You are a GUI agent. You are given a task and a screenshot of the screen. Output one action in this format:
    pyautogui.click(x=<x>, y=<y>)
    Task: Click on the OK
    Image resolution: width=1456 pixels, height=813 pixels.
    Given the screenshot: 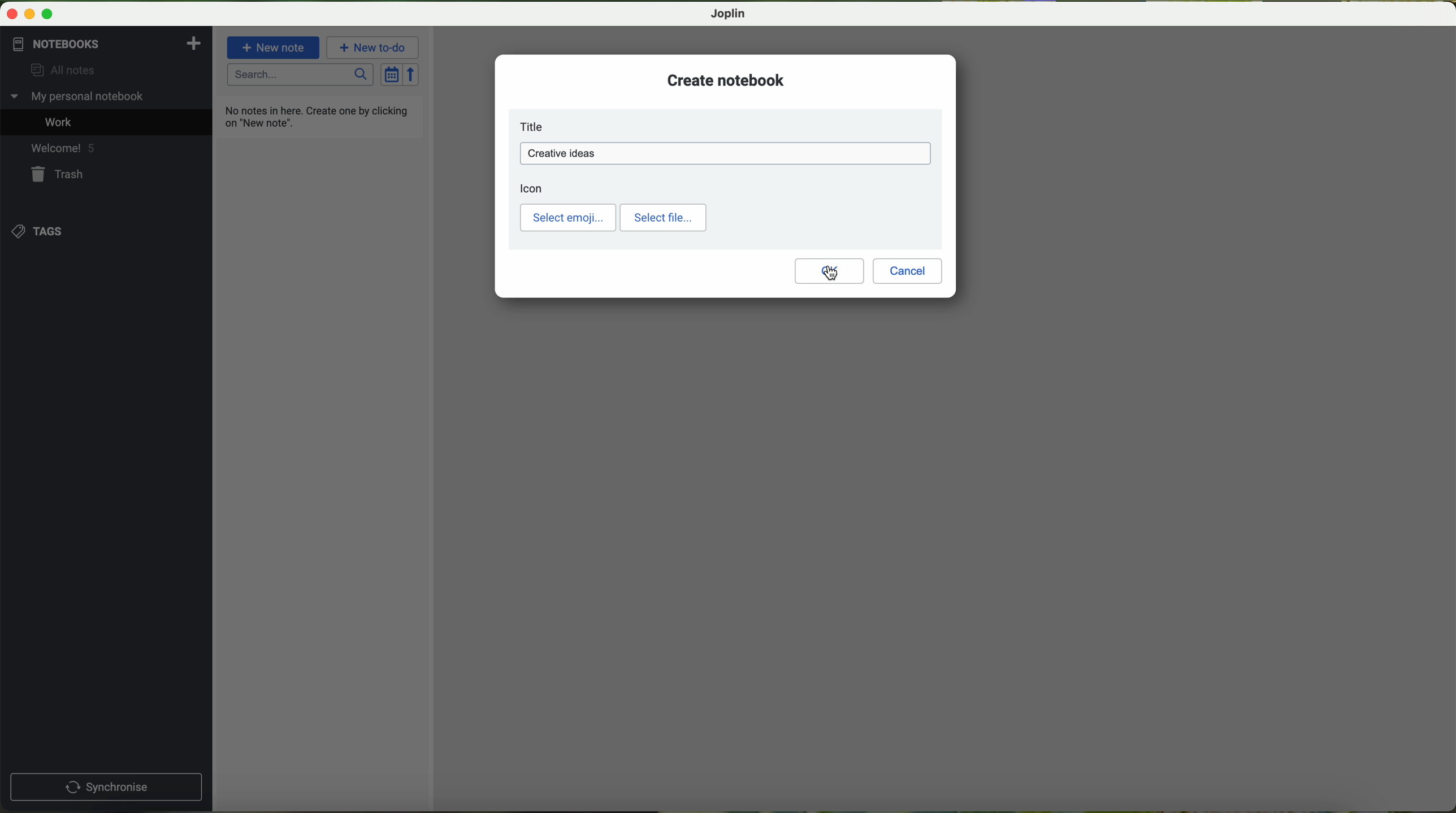 What is the action you would take?
    pyautogui.click(x=829, y=271)
    